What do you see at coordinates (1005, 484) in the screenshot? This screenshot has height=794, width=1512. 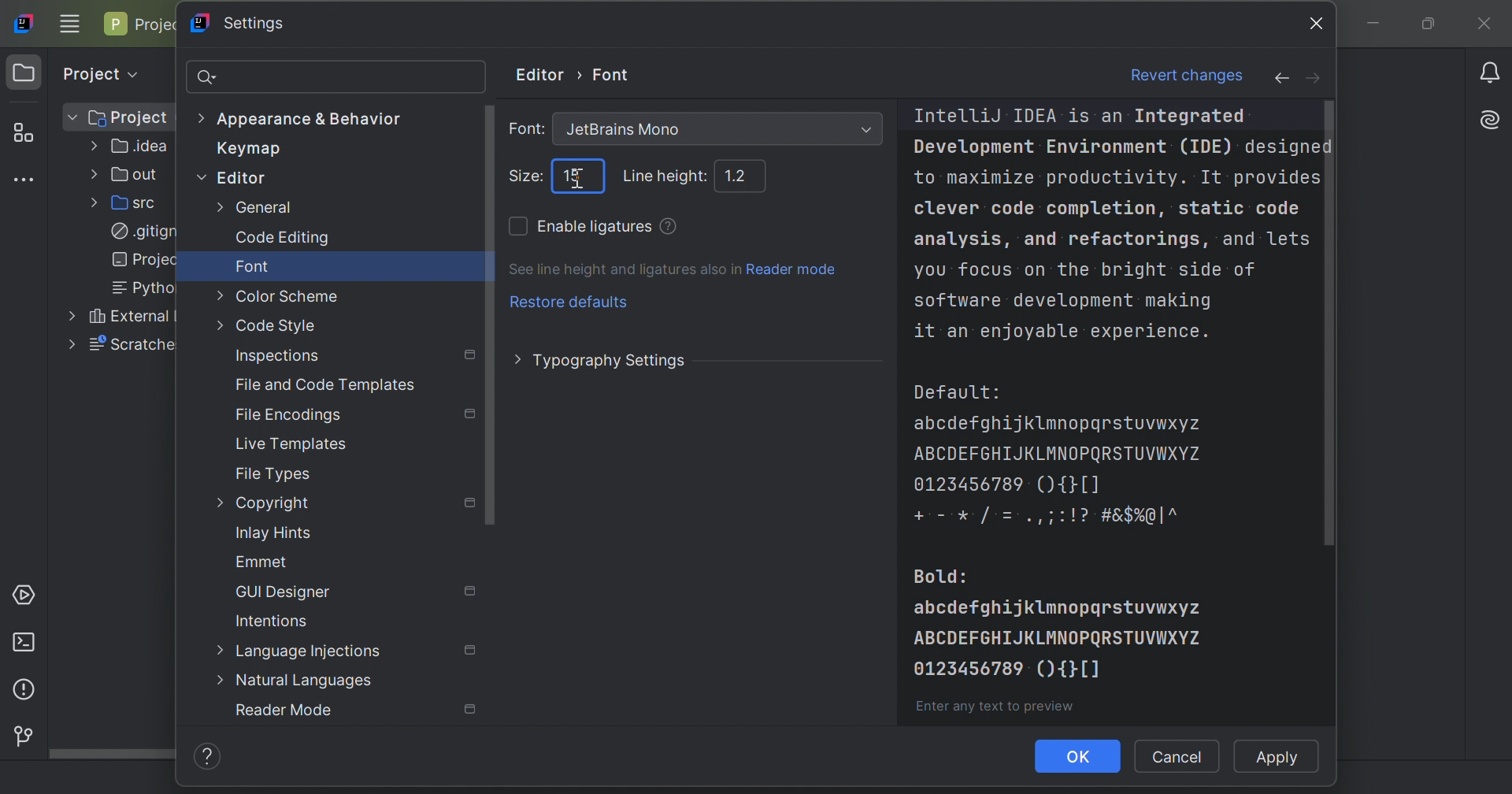 I see `0123456789(){}[]` at bounding box center [1005, 484].